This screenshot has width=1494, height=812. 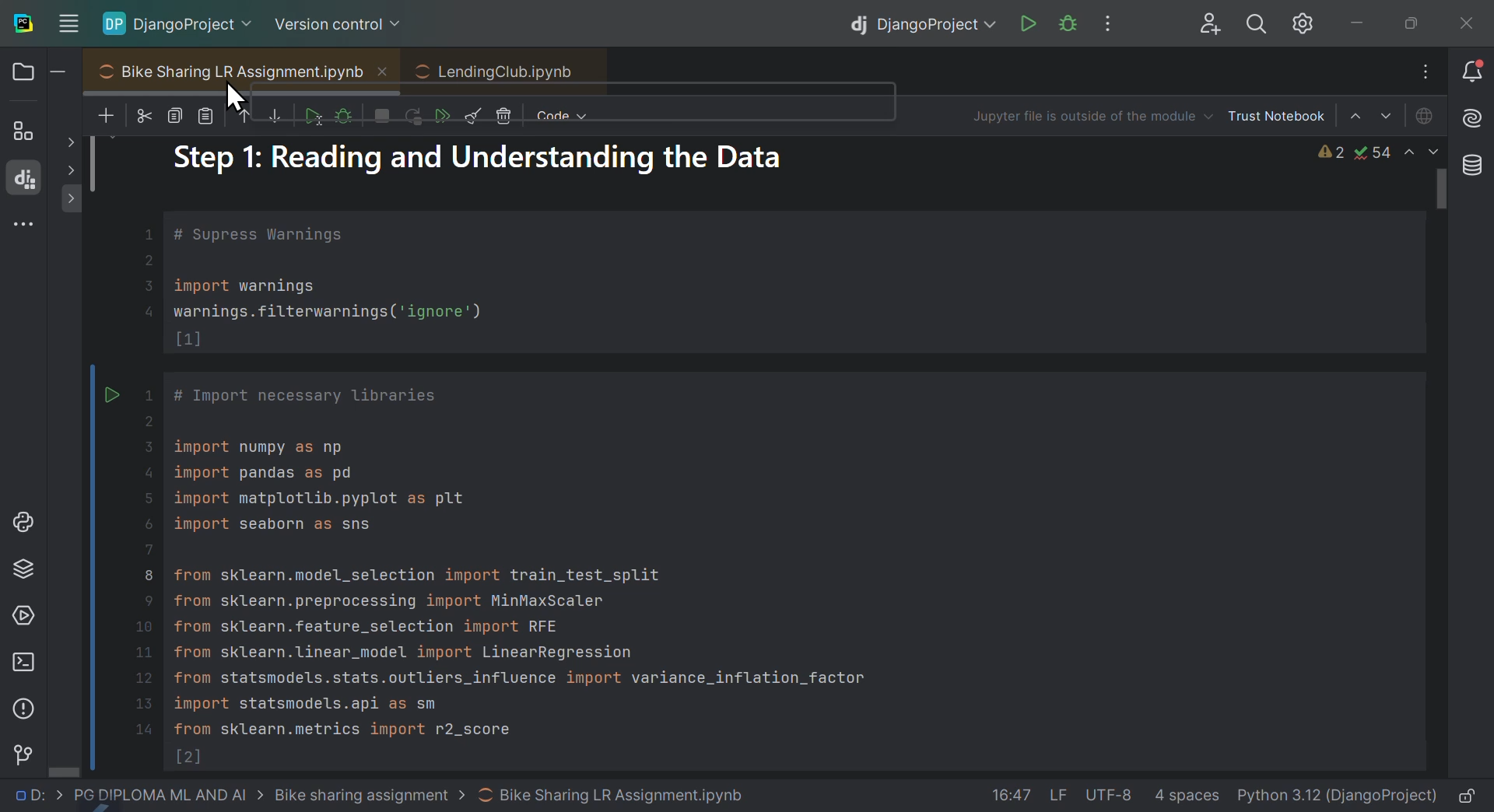 What do you see at coordinates (22, 665) in the screenshot?
I see `Terminal` at bounding box center [22, 665].